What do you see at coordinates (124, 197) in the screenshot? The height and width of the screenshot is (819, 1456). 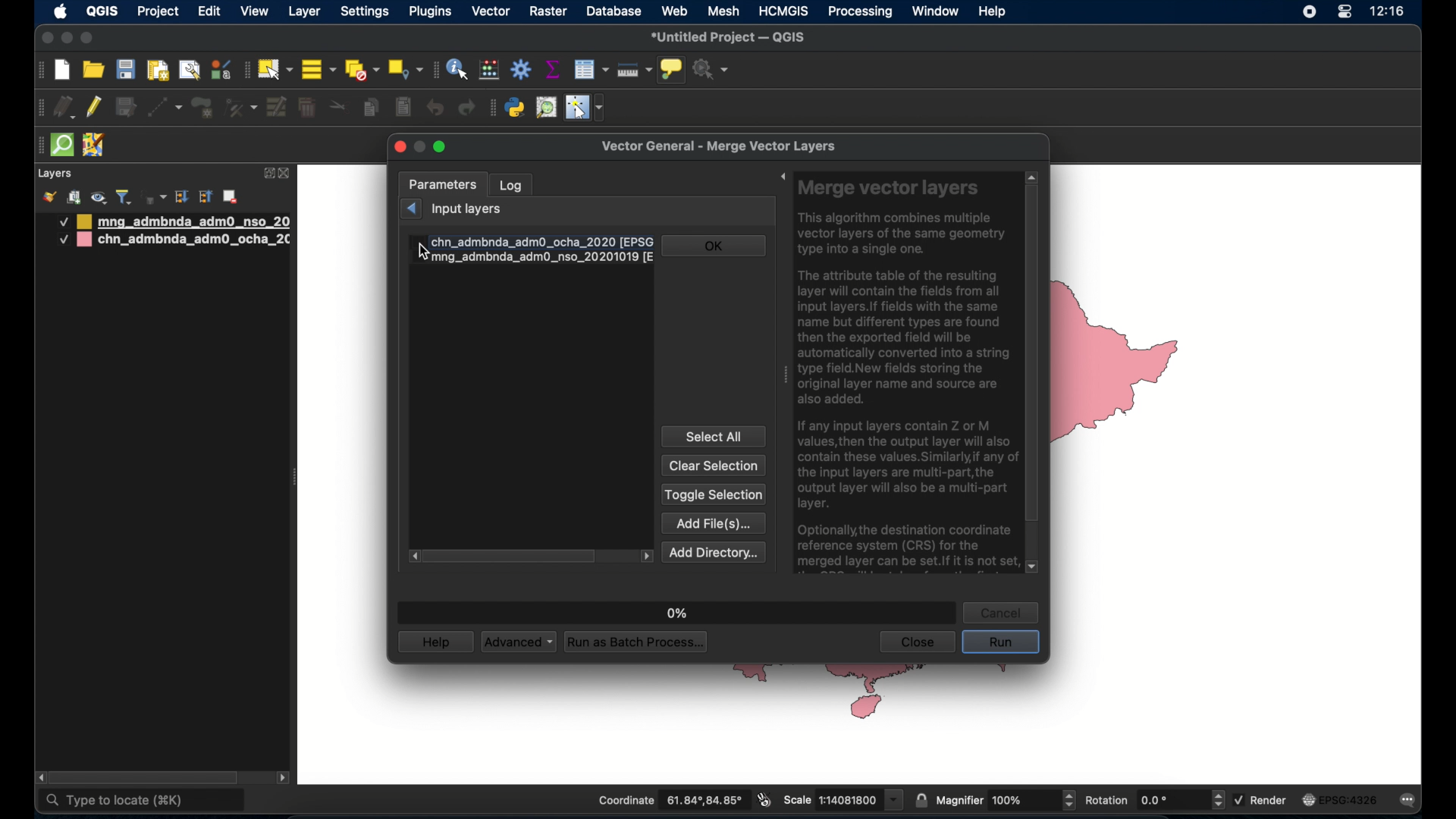 I see `filter legend` at bounding box center [124, 197].